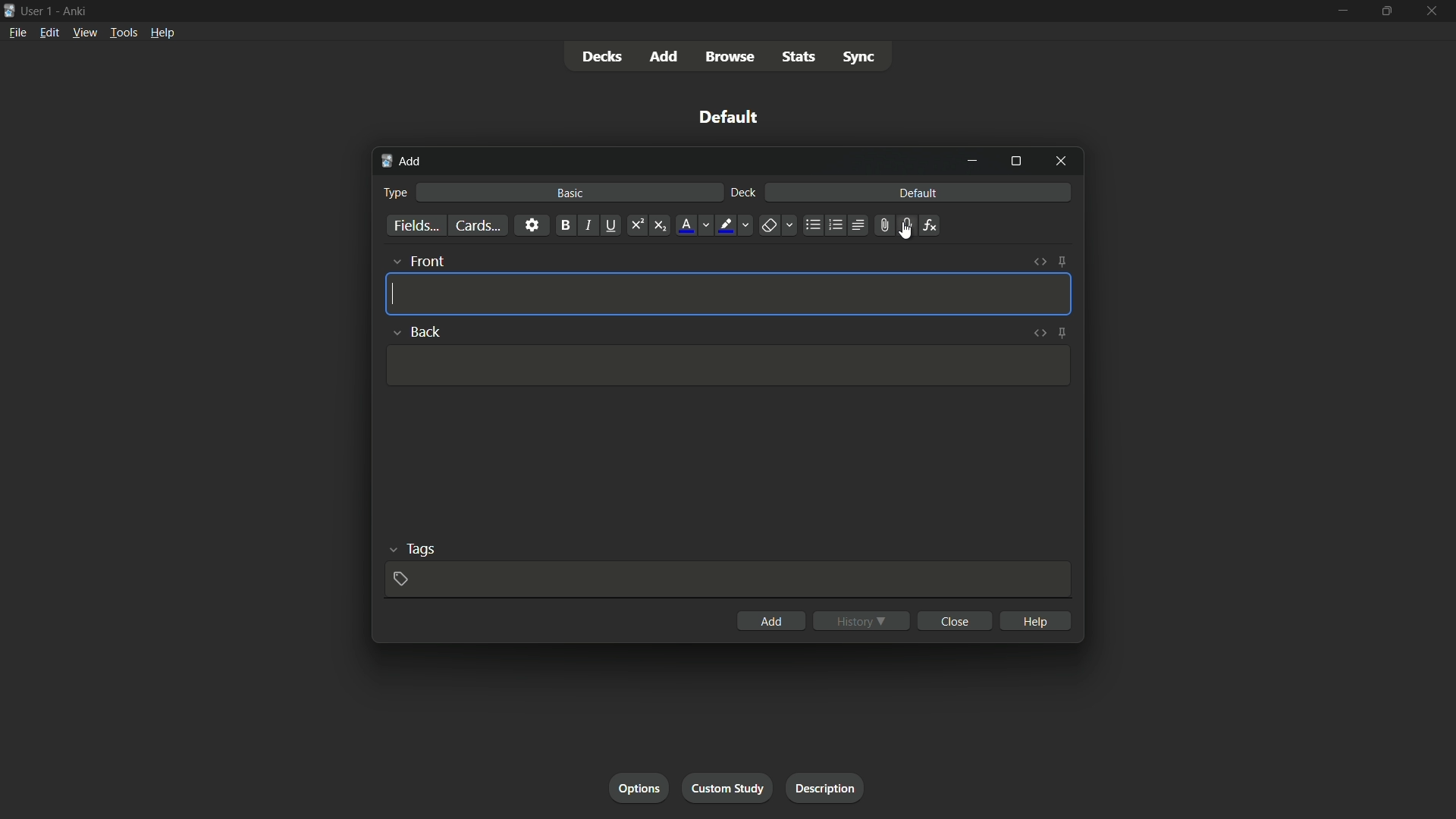 Image resolution: width=1456 pixels, height=819 pixels. What do you see at coordinates (124, 33) in the screenshot?
I see `tools menu` at bounding box center [124, 33].